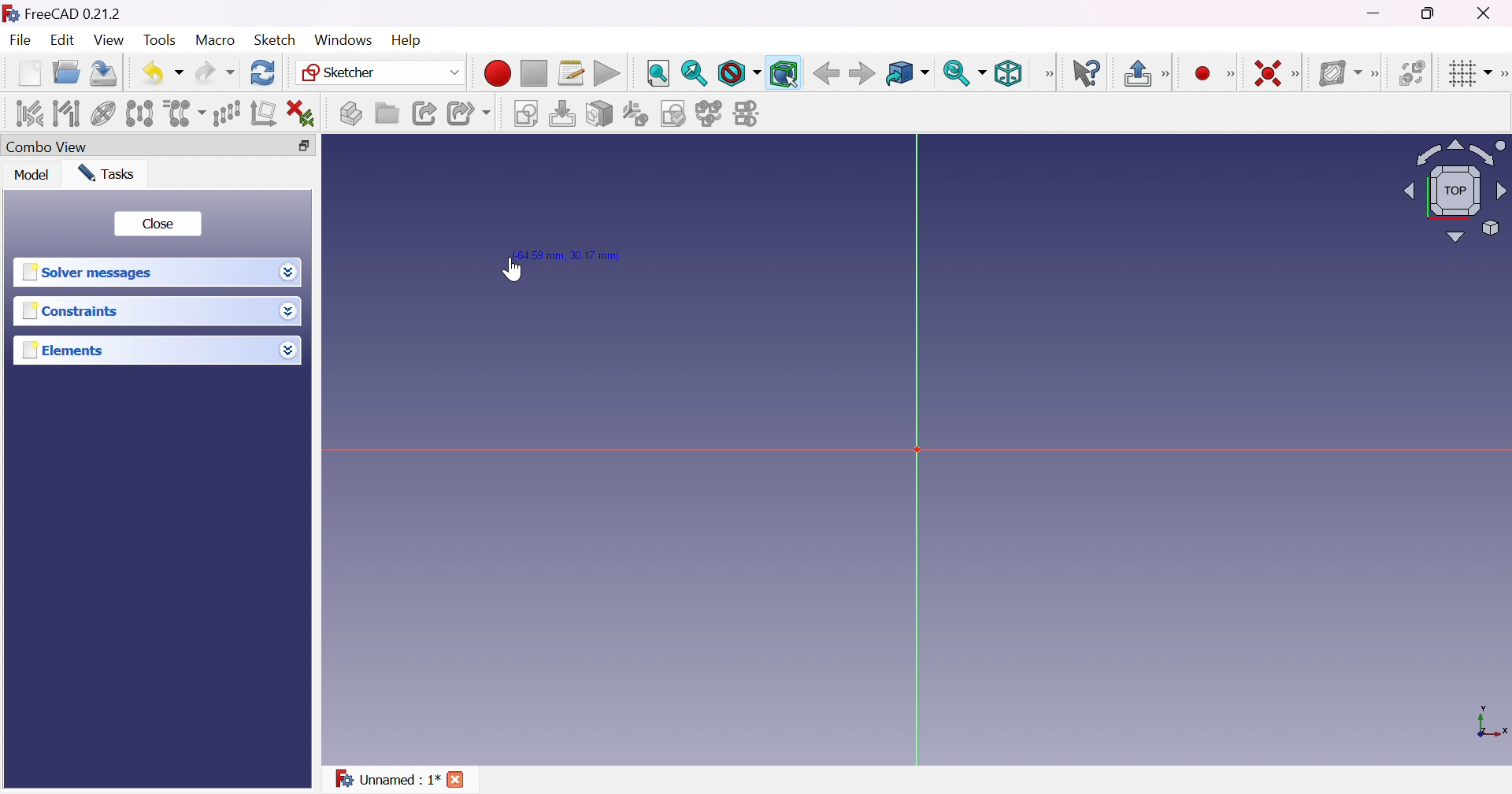 The width and height of the screenshot is (1512, 794). I want to click on Drop down, so click(288, 310).